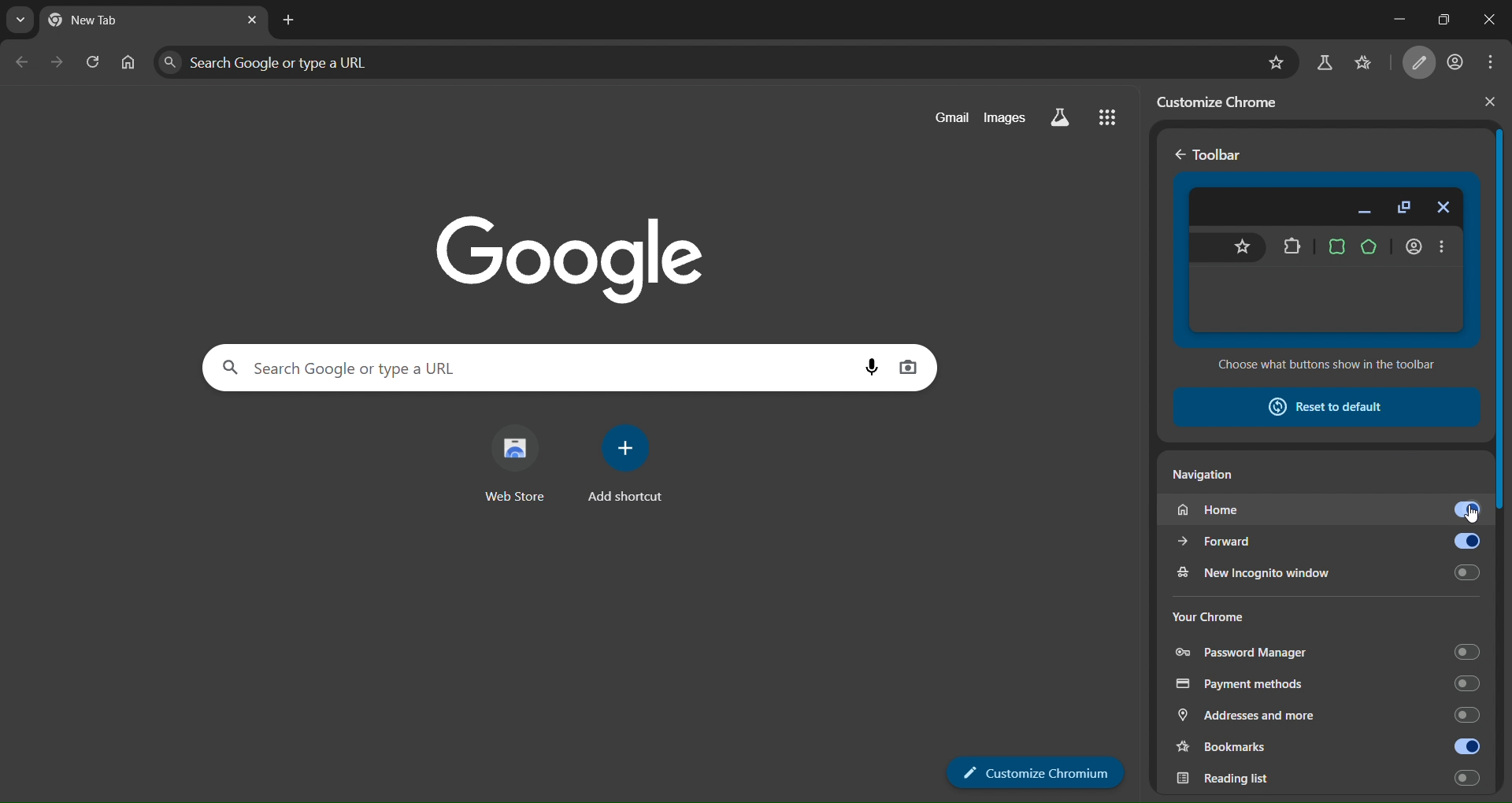 The height and width of the screenshot is (803, 1512). Describe the element at coordinates (1314, 406) in the screenshot. I see `reset todefault` at that location.